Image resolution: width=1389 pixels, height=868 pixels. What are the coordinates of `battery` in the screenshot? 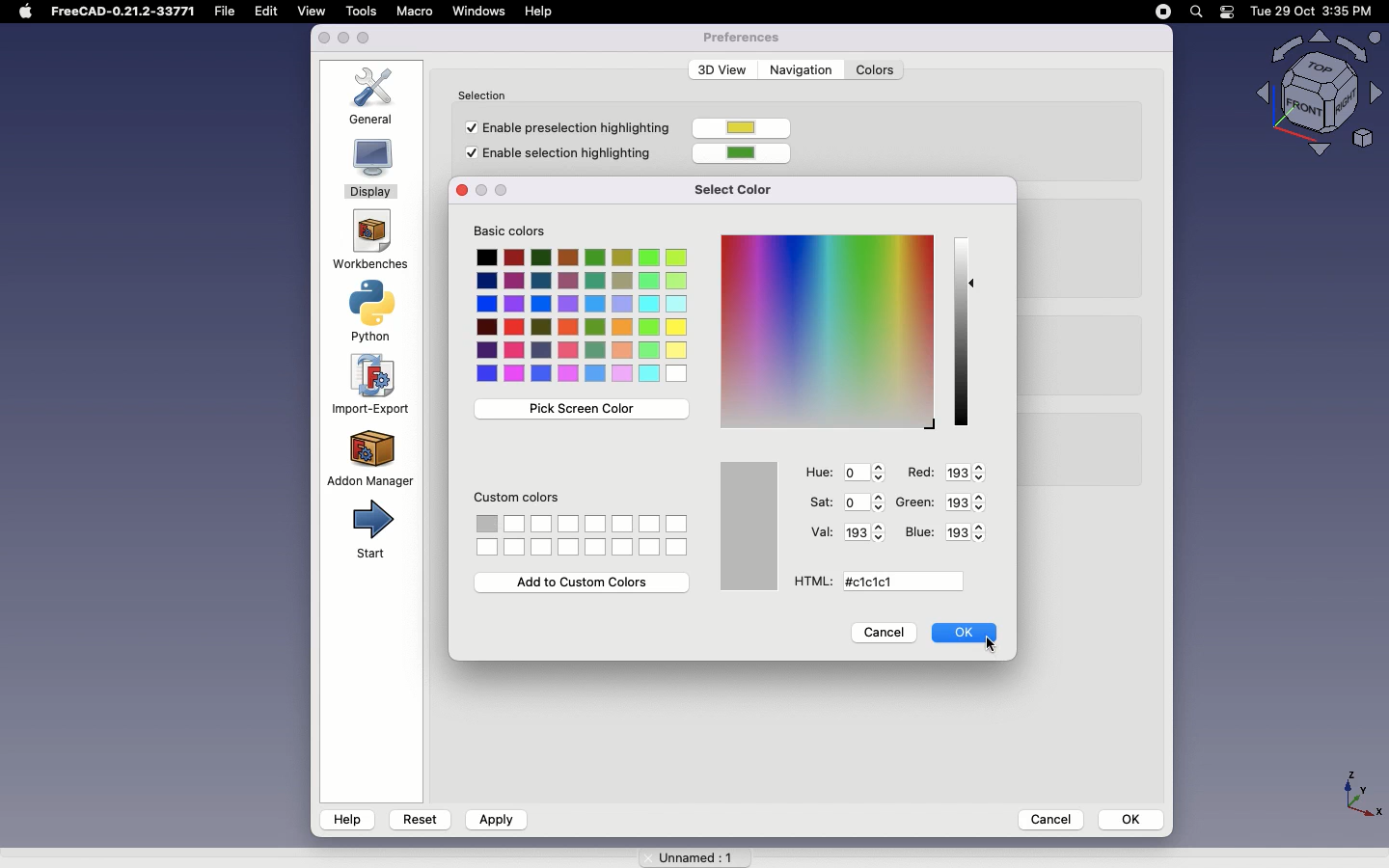 It's located at (1228, 14).